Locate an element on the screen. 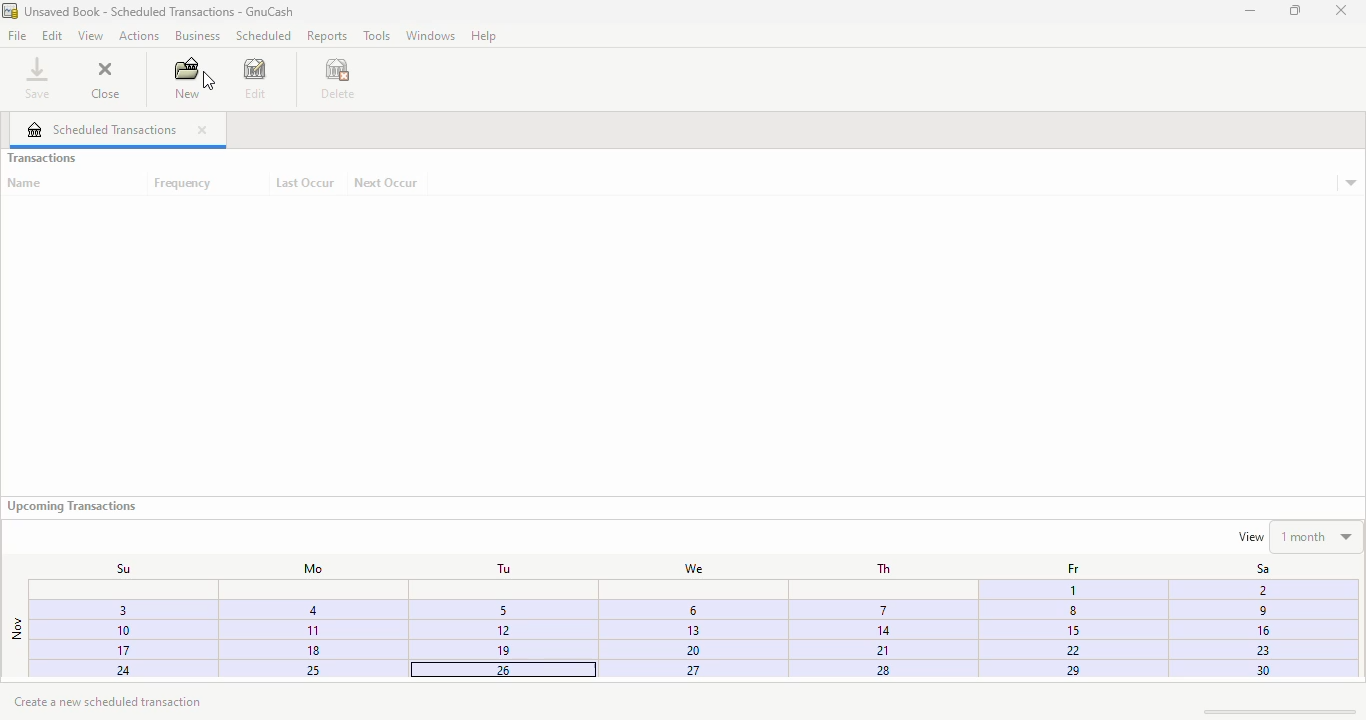 This screenshot has width=1366, height=720. scheduled is located at coordinates (263, 35).